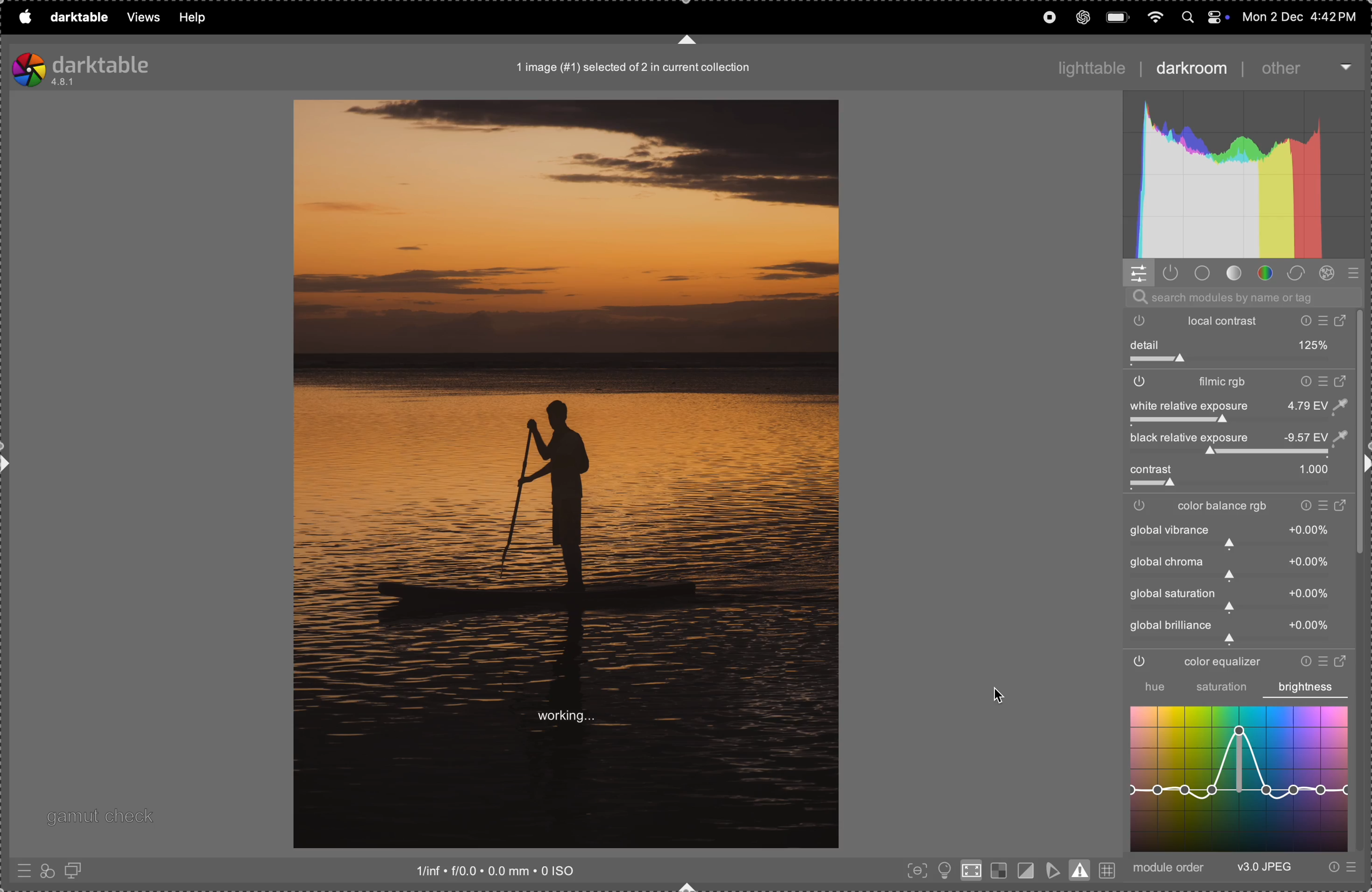 This screenshot has height=892, width=1372. What do you see at coordinates (22, 873) in the screenshot?
I see `presets` at bounding box center [22, 873].